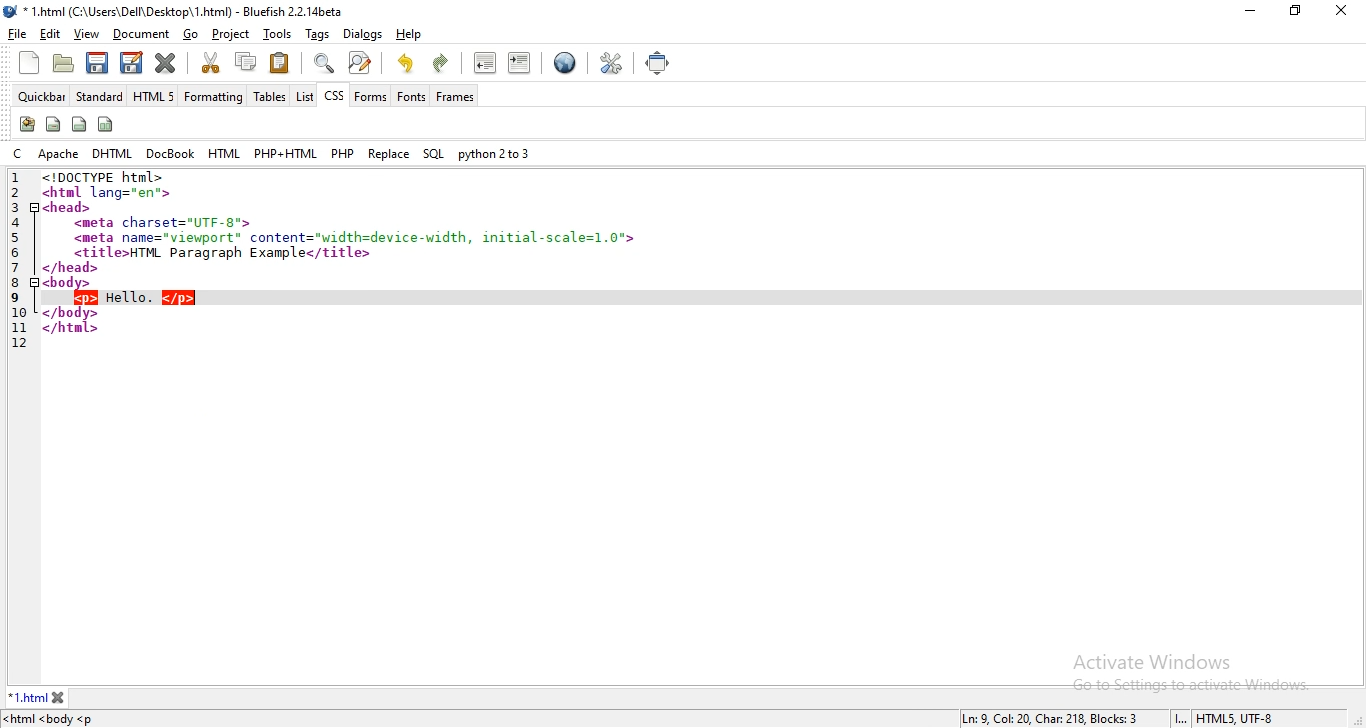 The image size is (1366, 728). What do you see at coordinates (408, 34) in the screenshot?
I see `help` at bounding box center [408, 34].